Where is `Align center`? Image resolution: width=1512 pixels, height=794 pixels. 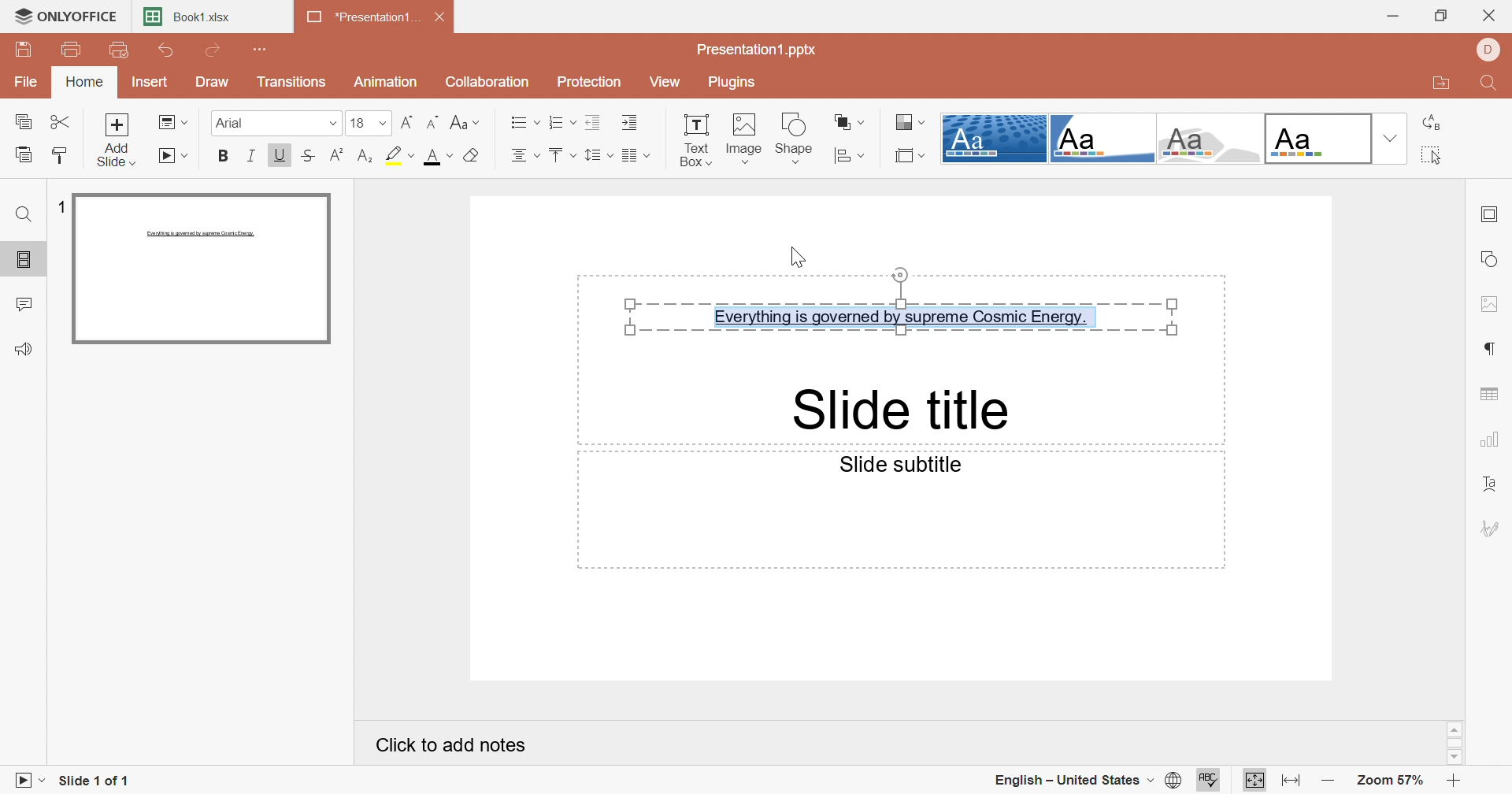 Align center is located at coordinates (527, 154).